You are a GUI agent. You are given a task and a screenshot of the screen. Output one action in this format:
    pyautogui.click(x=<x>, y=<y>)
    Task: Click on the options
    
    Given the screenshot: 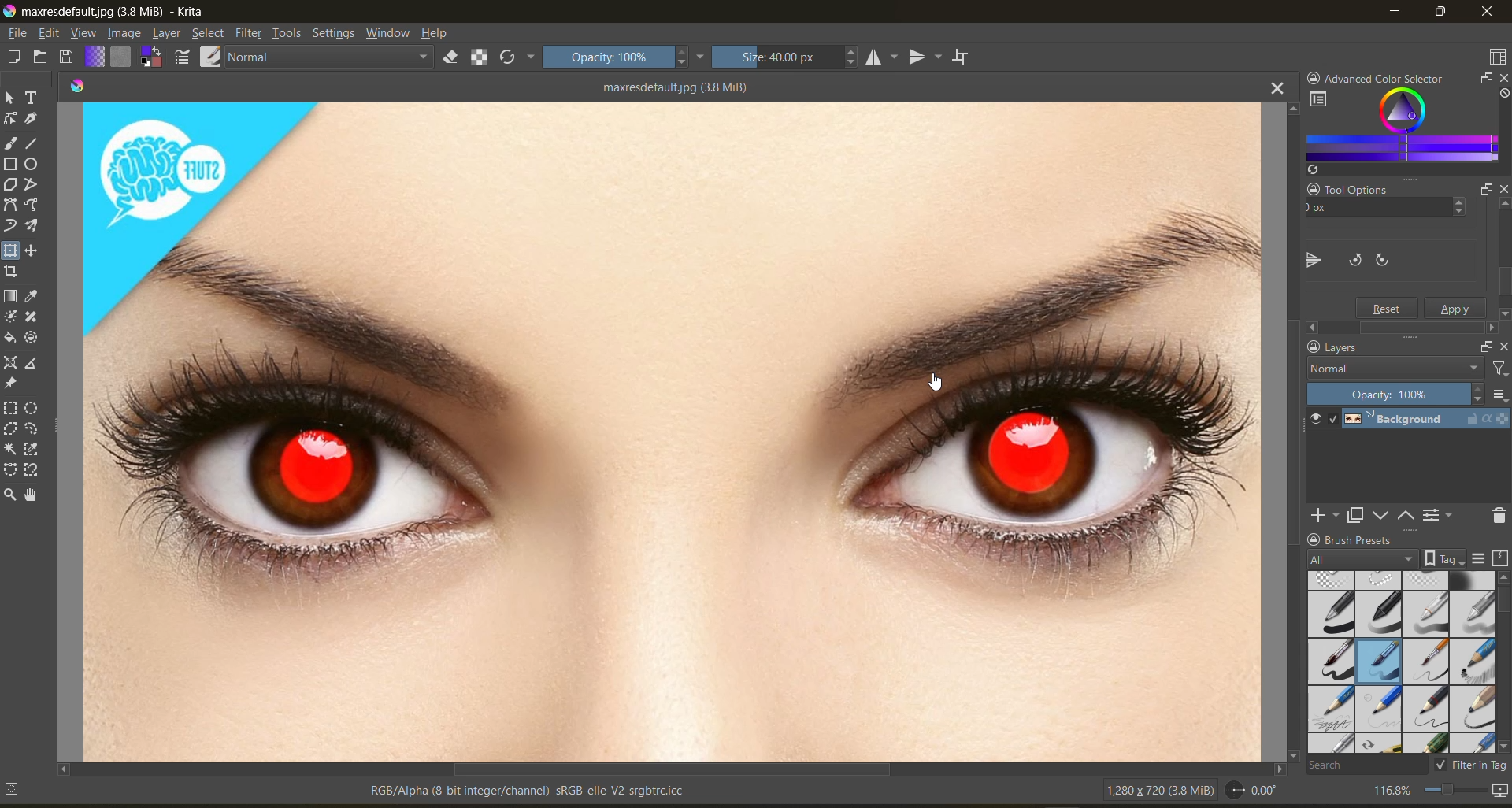 What is the action you would take?
    pyautogui.click(x=1499, y=395)
    